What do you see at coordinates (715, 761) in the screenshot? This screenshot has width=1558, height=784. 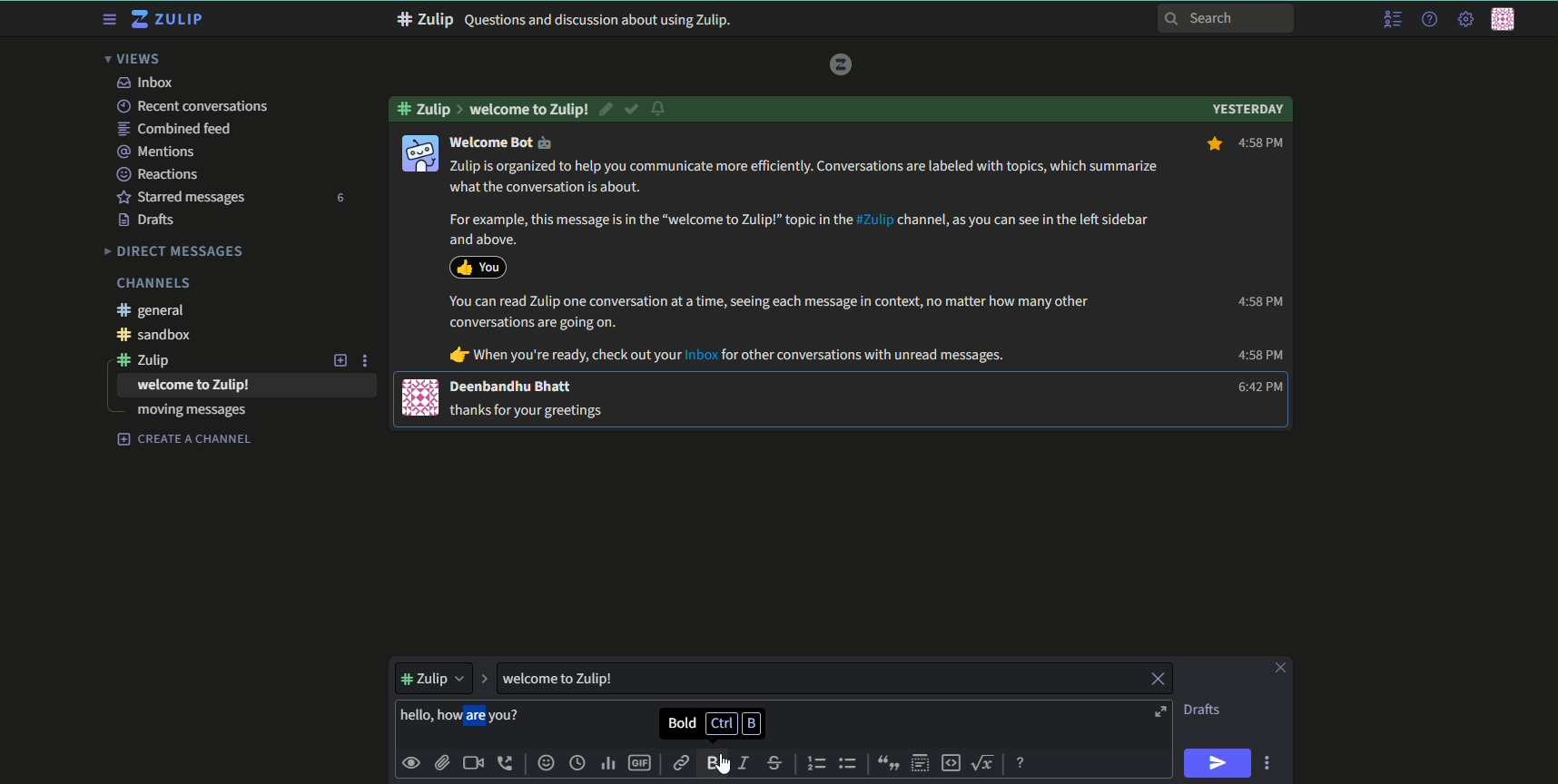 I see `cursor` at bounding box center [715, 761].